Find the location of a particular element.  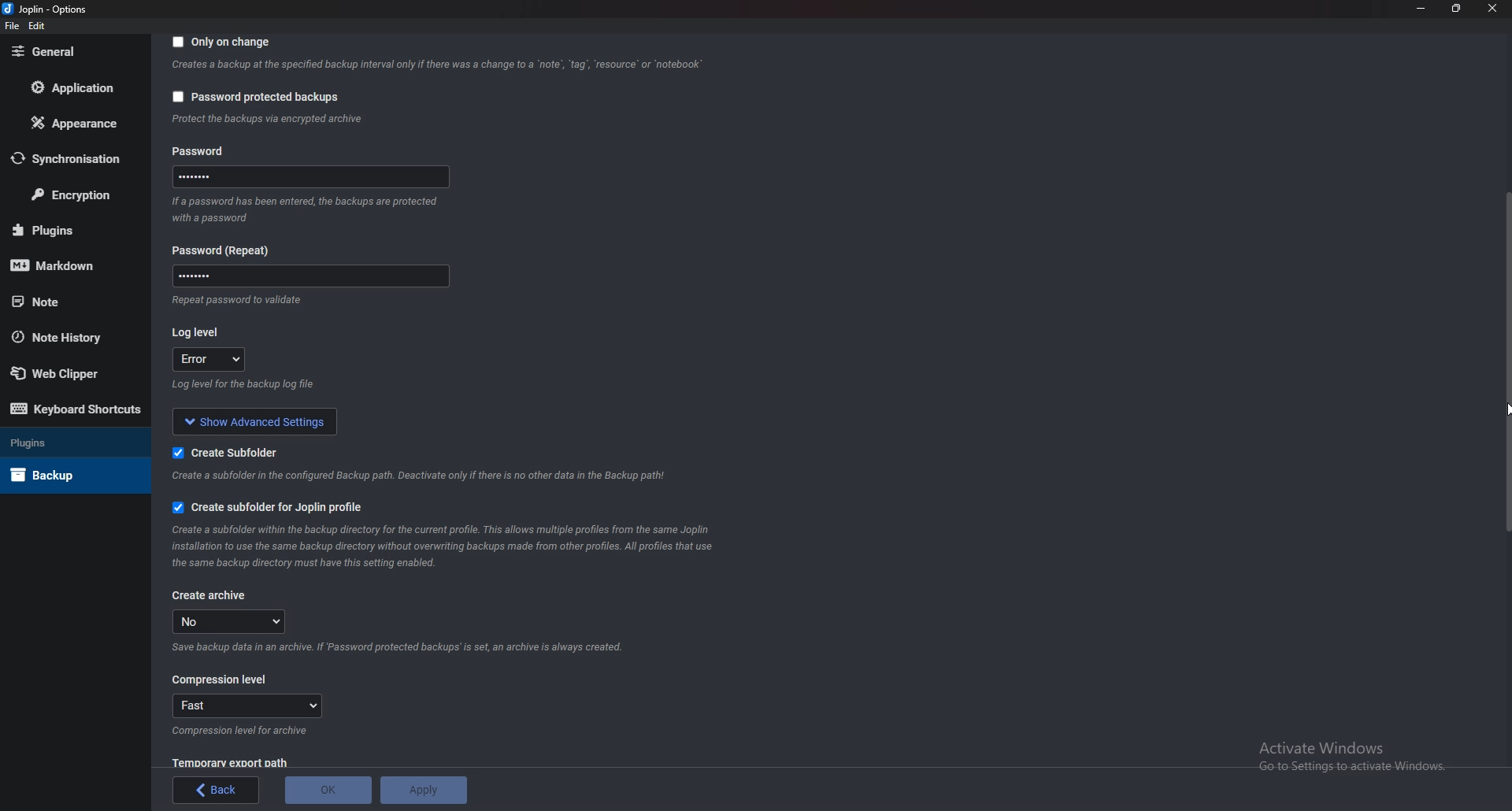

Info on subfolderf is located at coordinates (421, 476).